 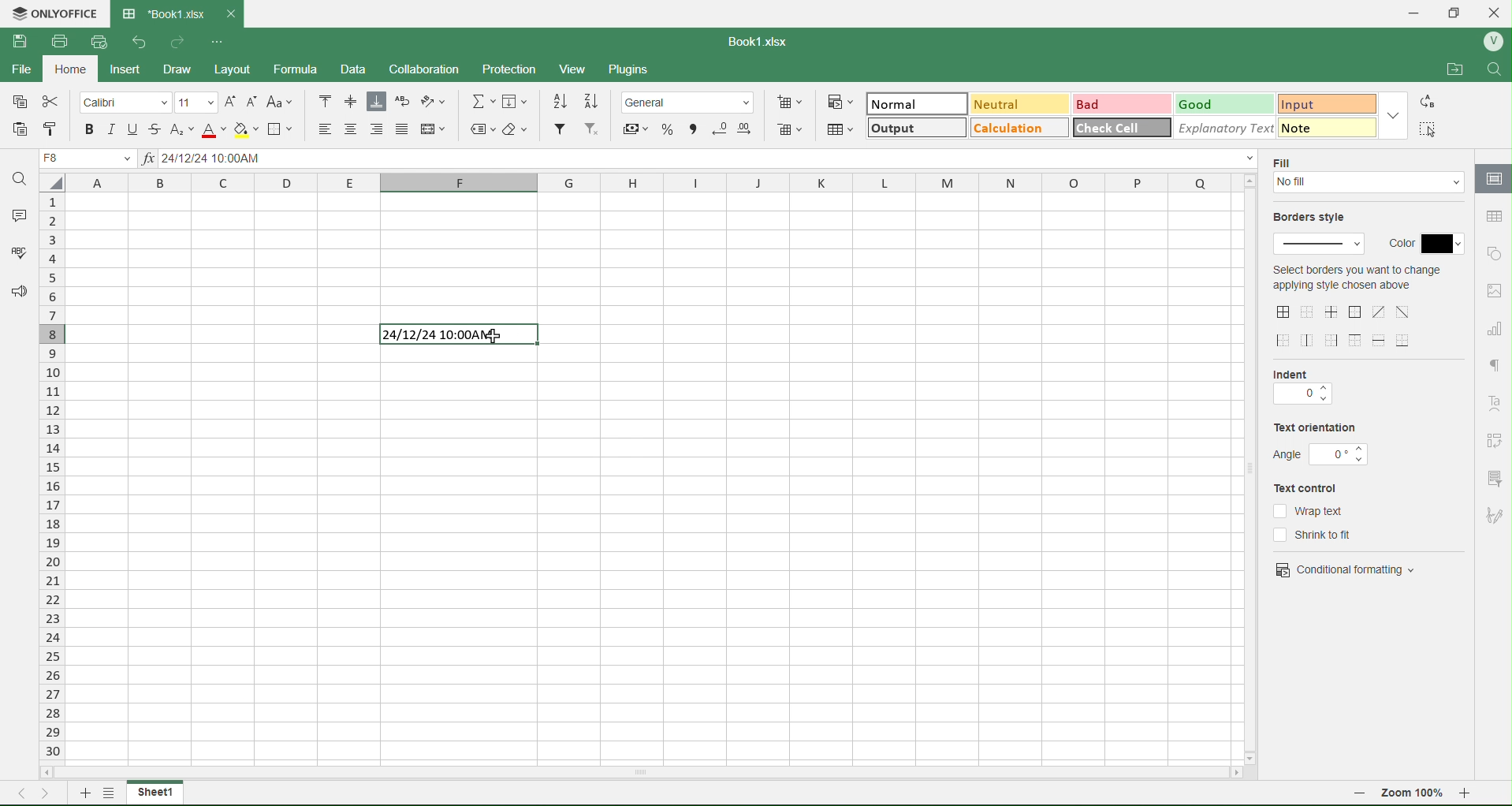 What do you see at coordinates (1309, 340) in the screenshot?
I see `vertical border` at bounding box center [1309, 340].